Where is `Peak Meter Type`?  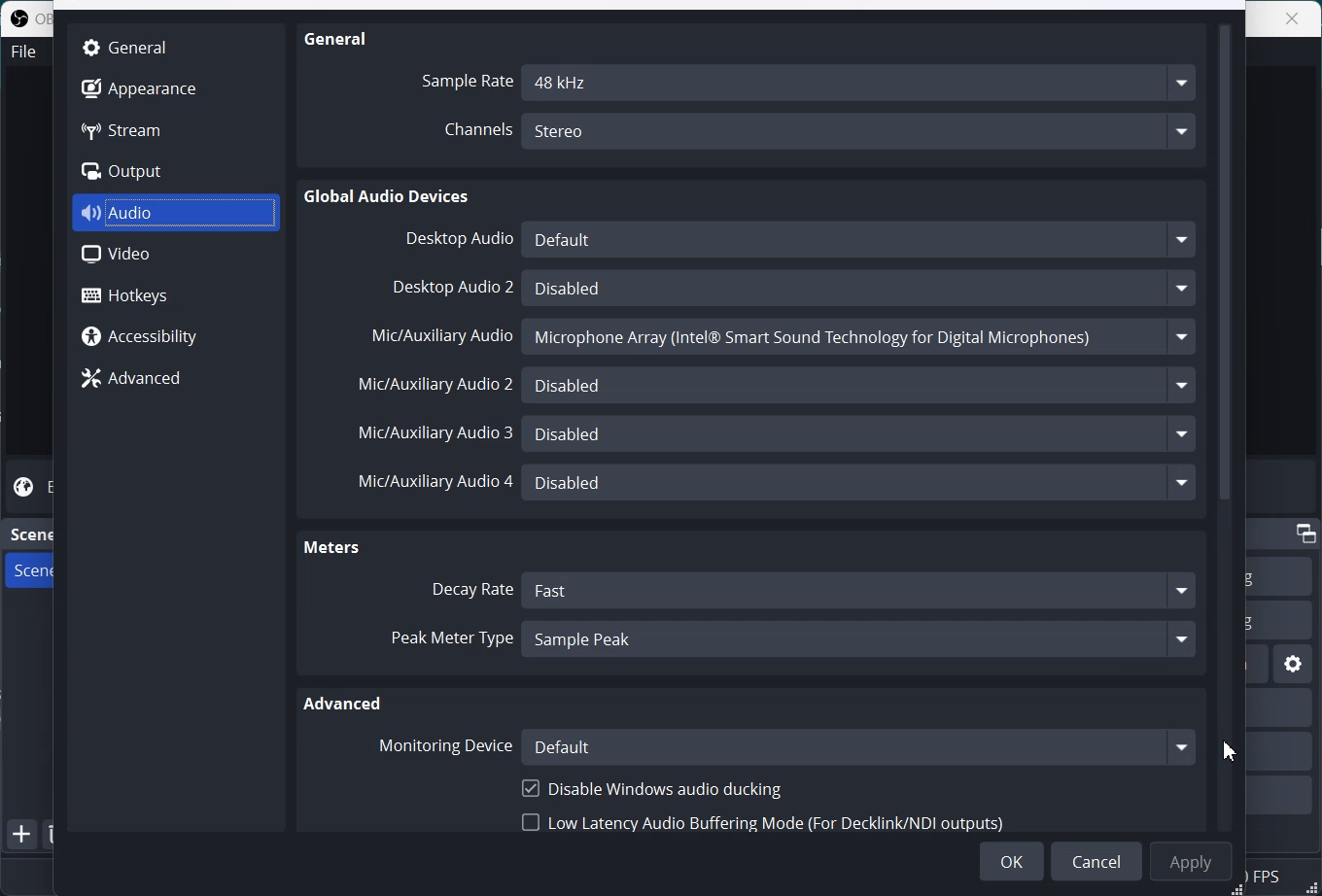
Peak Meter Type is located at coordinates (453, 639).